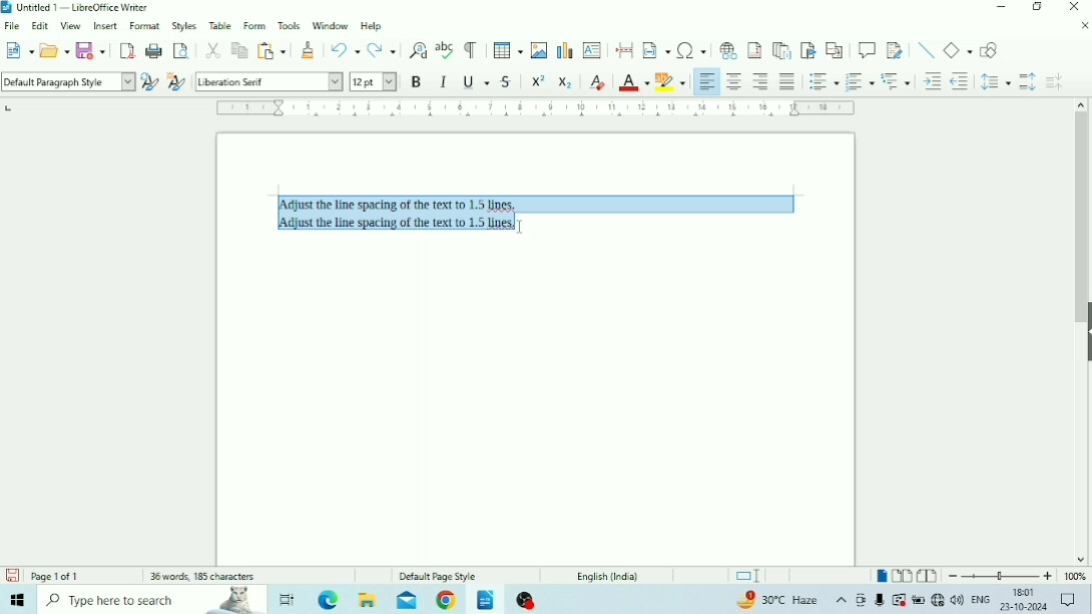  Describe the element at coordinates (55, 50) in the screenshot. I see `Open` at that location.